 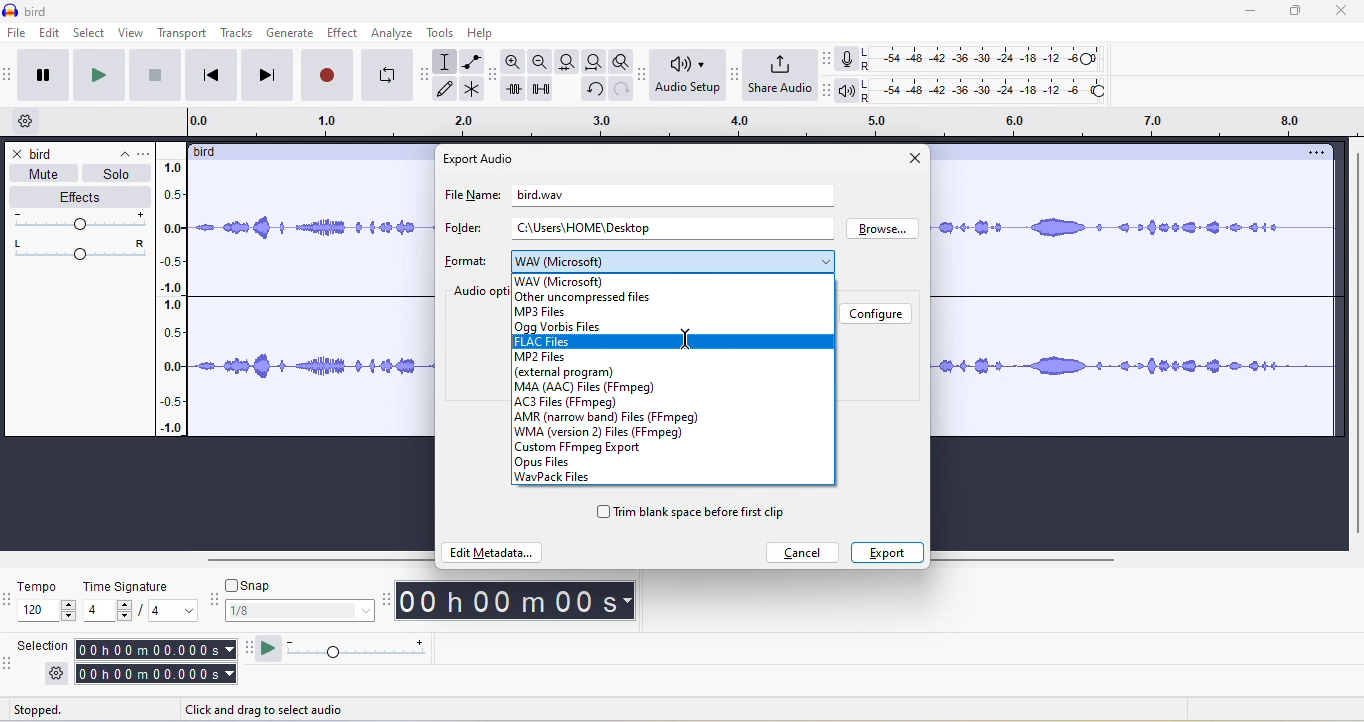 What do you see at coordinates (142, 600) in the screenshot?
I see `time signature` at bounding box center [142, 600].